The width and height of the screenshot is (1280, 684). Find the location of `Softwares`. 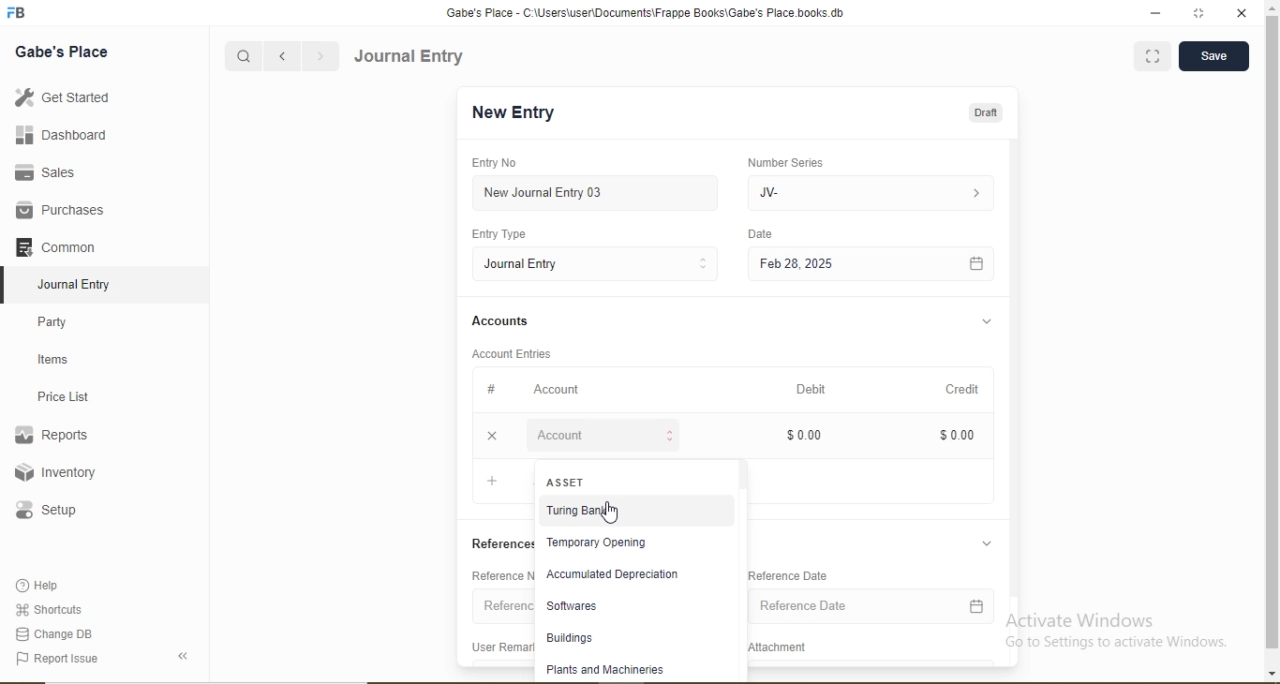

Softwares is located at coordinates (573, 606).